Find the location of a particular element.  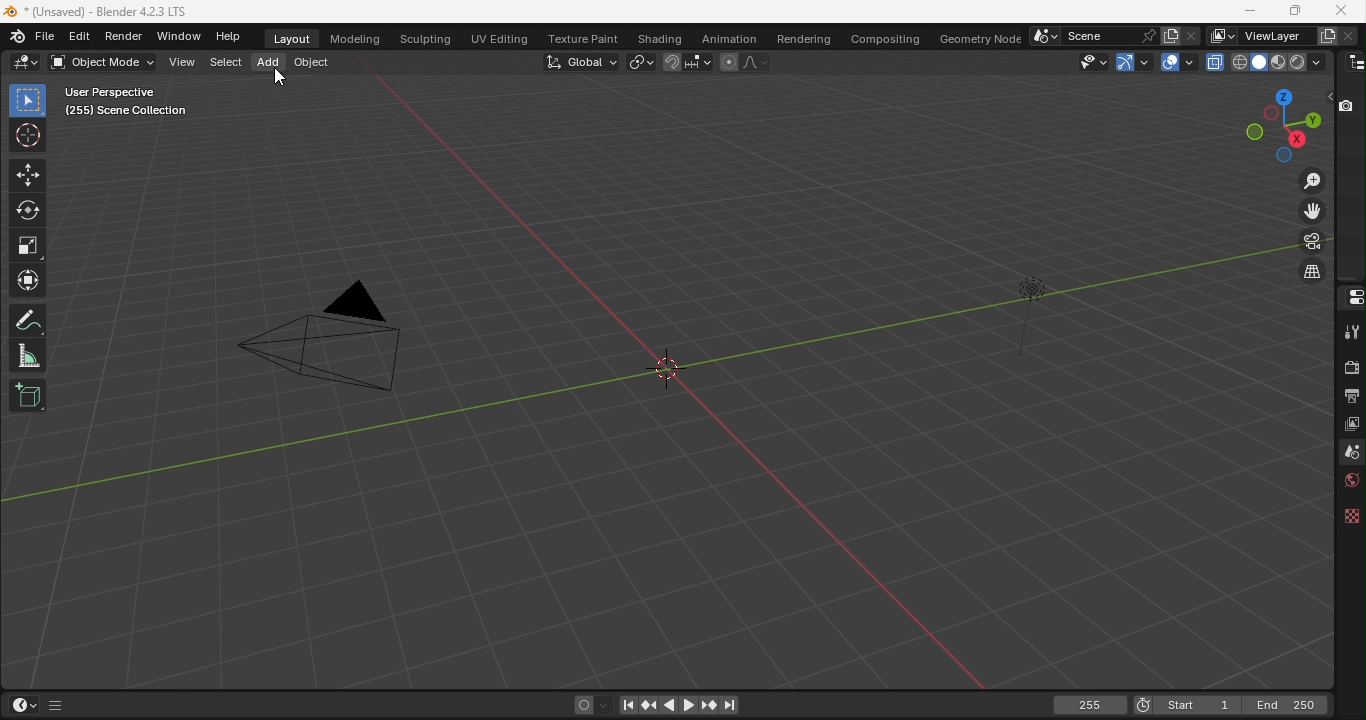

Browse scene to be linked is located at coordinates (1044, 36).